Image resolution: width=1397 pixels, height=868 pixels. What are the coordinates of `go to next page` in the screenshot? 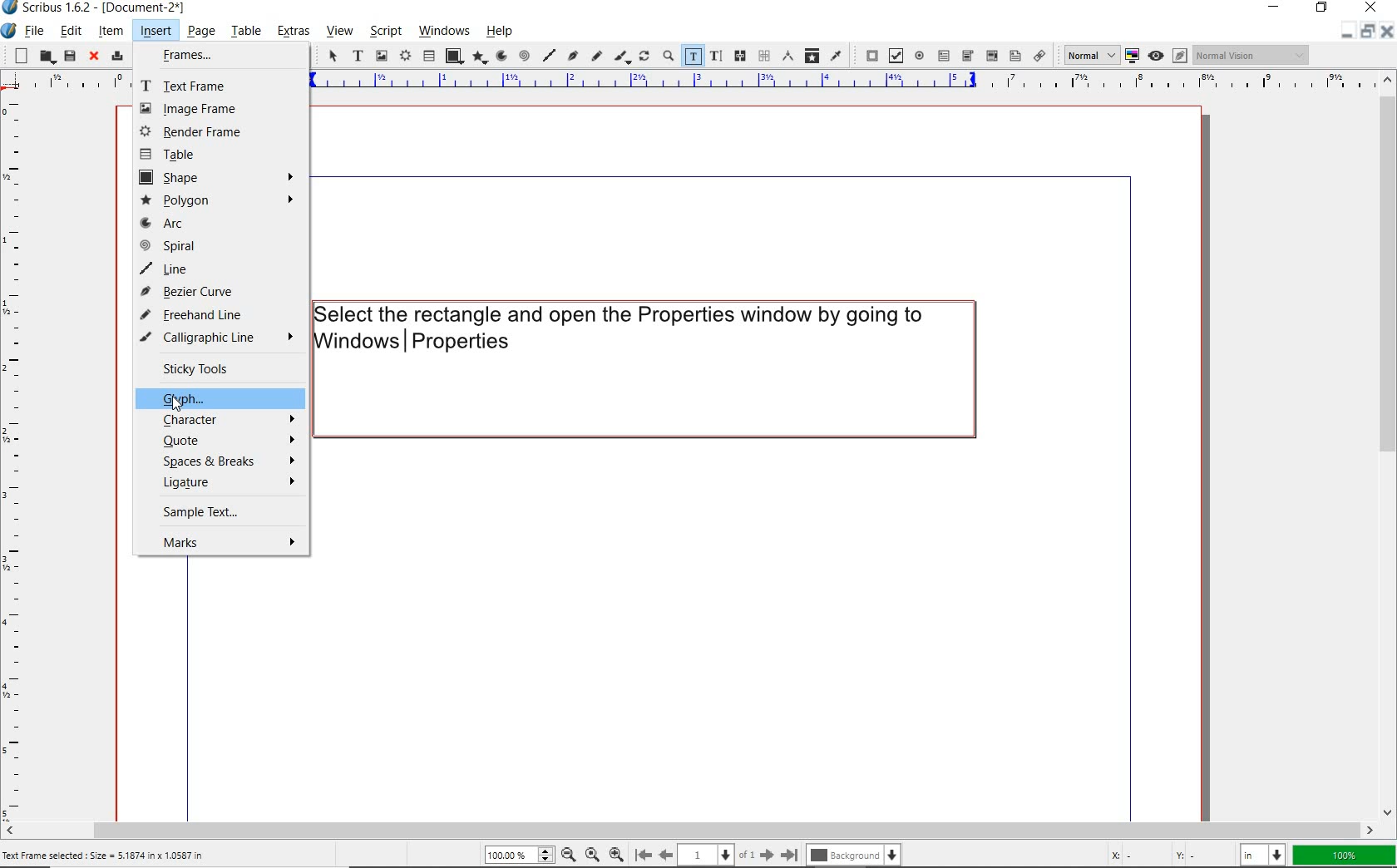 It's located at (767, 854).